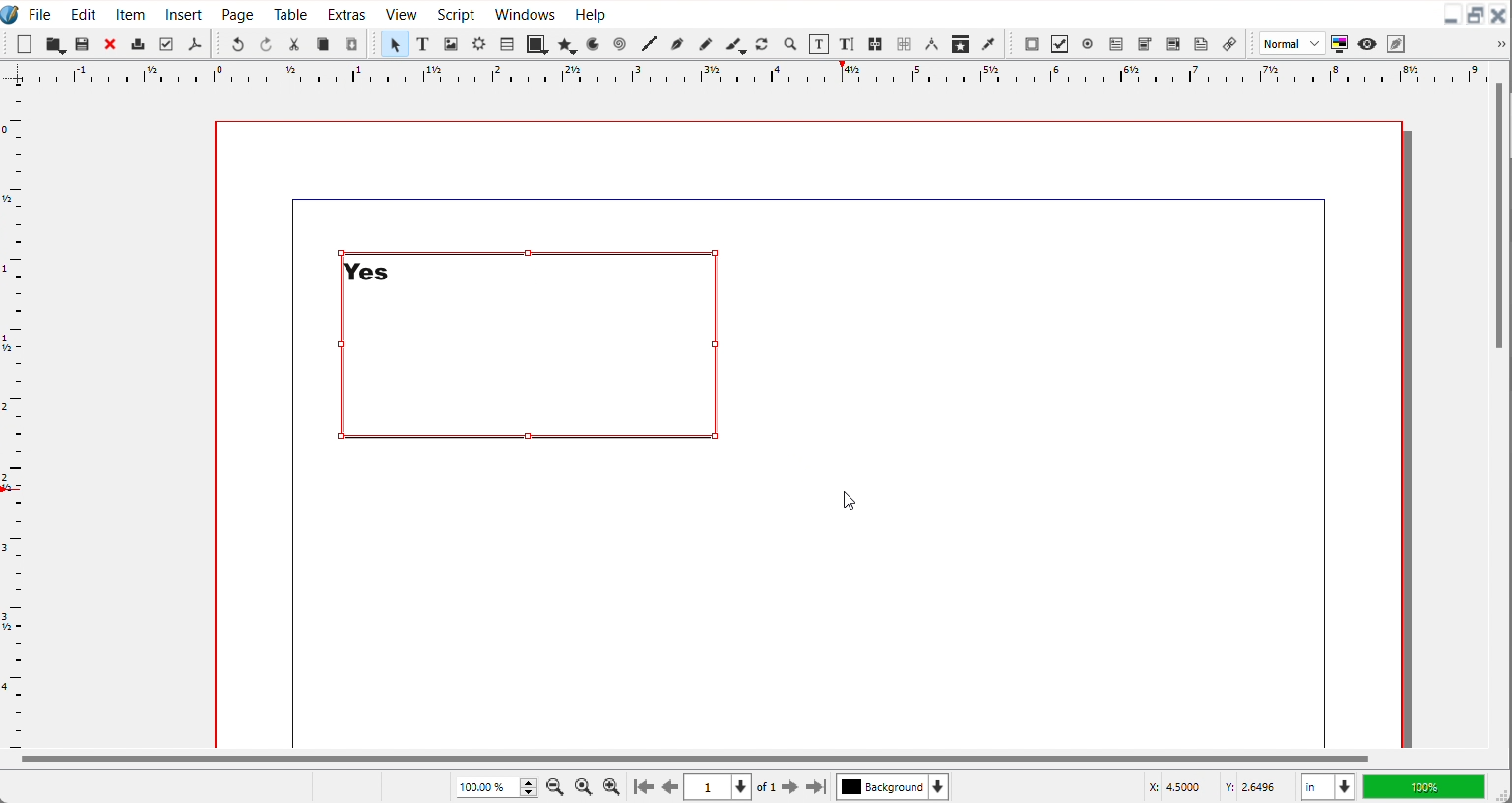 This screenshot has height=803, width=1512. What do you see at coordinates (237, 13) in the screenshot?
I see `Page` at bounding box center [237, 13].